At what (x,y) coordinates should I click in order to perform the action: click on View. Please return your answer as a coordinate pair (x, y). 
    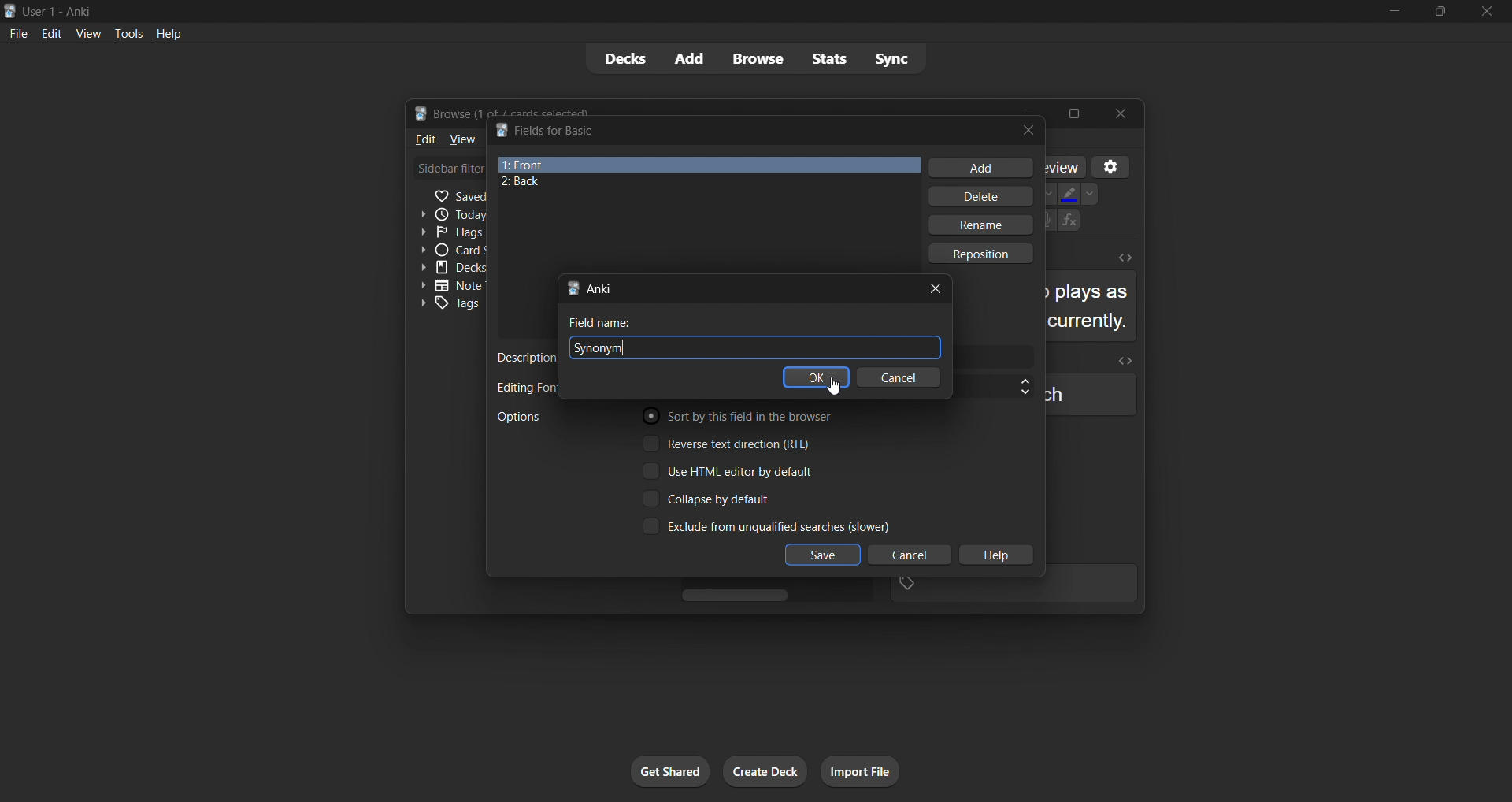
    Looking at the image, I should click on (463, 140).